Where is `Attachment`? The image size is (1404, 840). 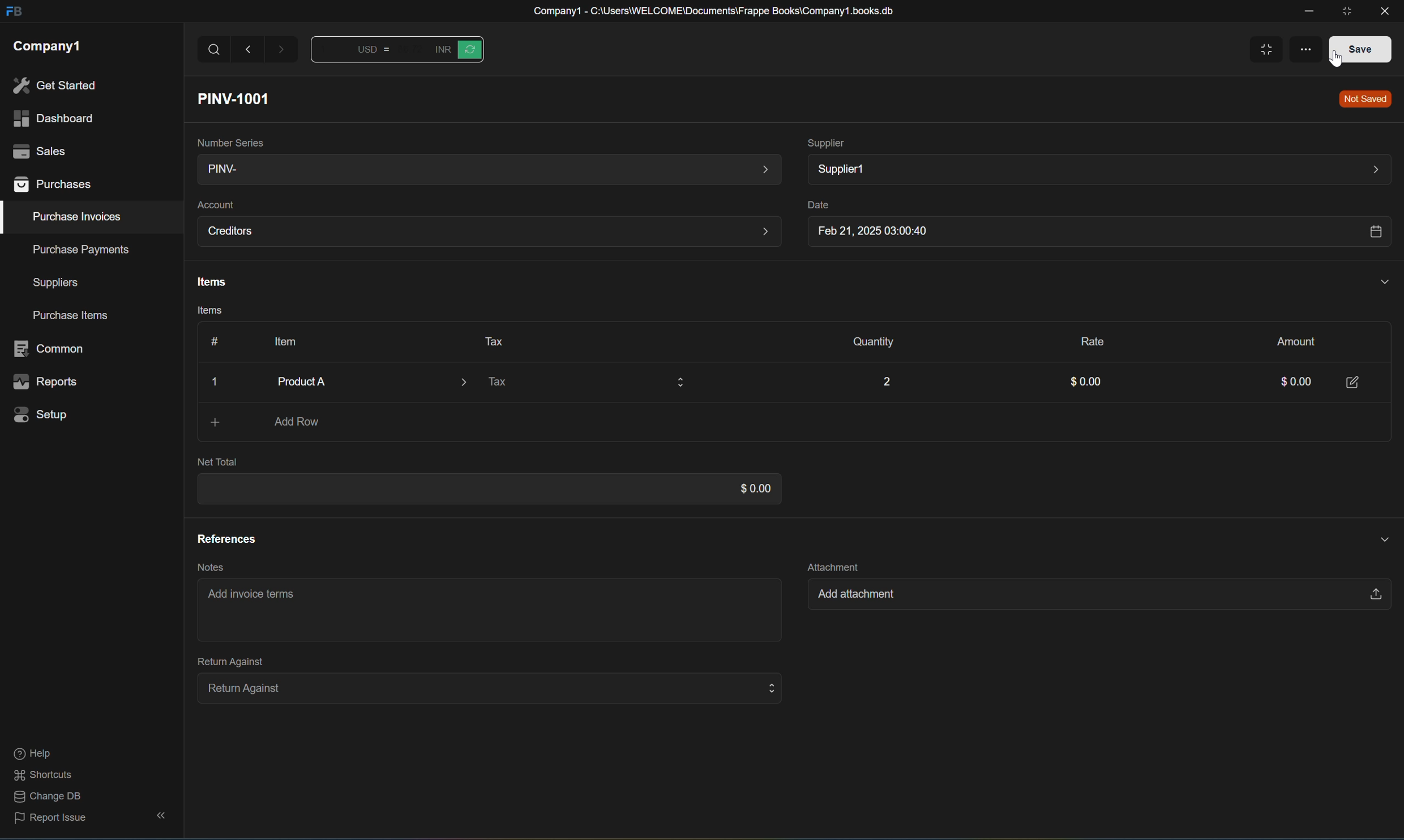 Attachment is located at coordinates (833, 565).